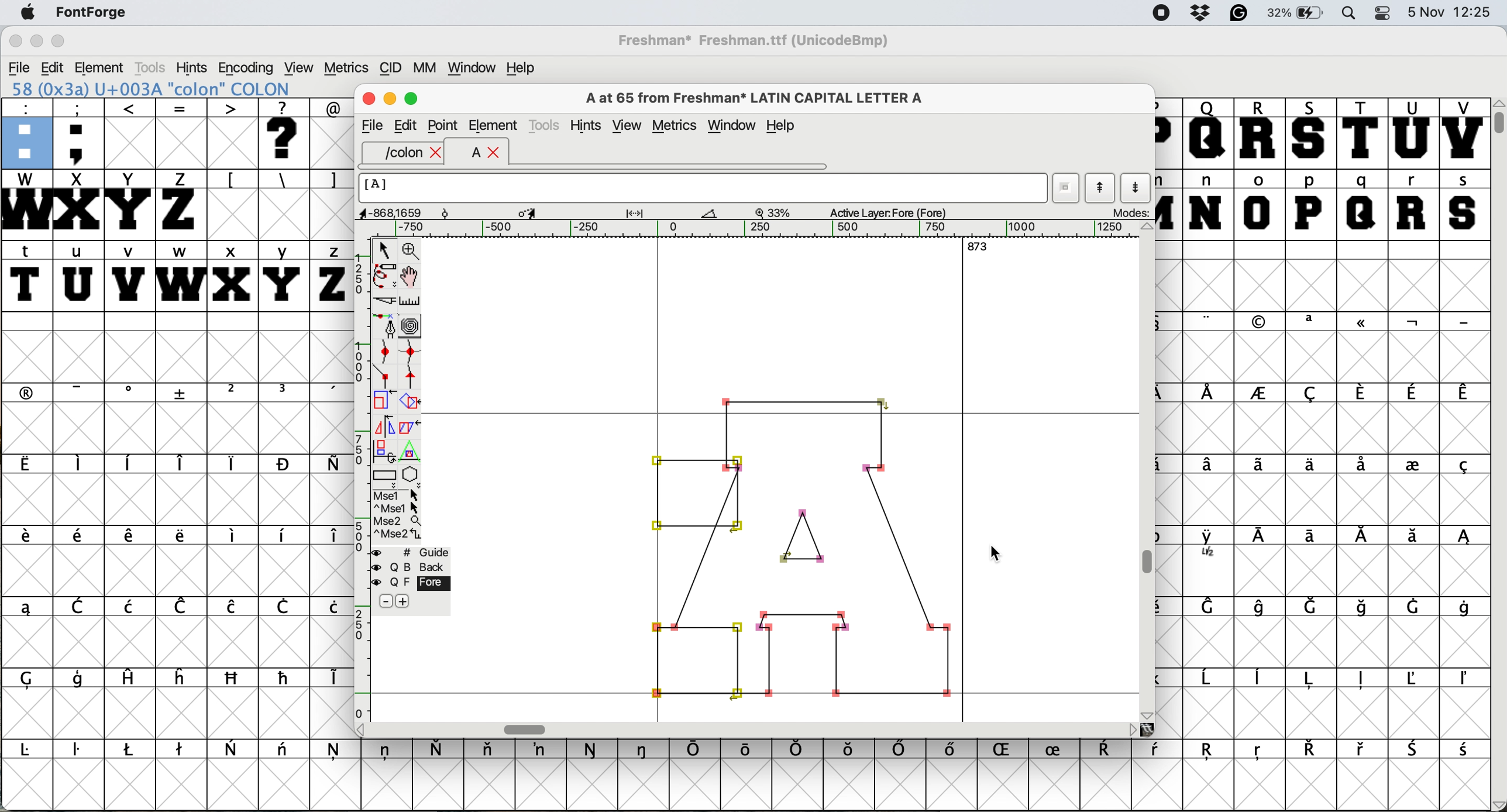 The height and width of the screenshot is (812, 1507). I want to click on symbol, so click(232, 748).